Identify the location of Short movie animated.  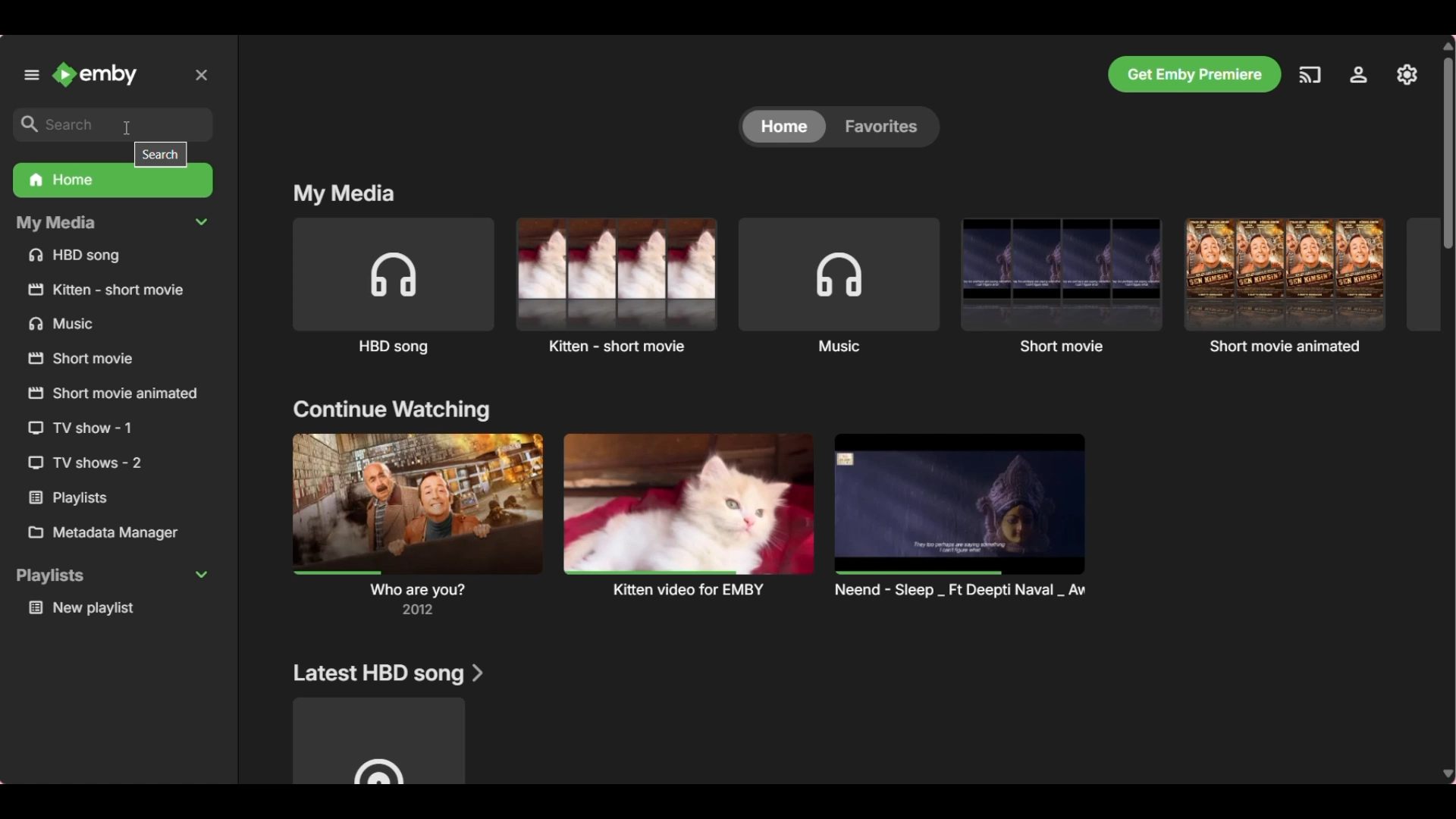
(1285, 284).